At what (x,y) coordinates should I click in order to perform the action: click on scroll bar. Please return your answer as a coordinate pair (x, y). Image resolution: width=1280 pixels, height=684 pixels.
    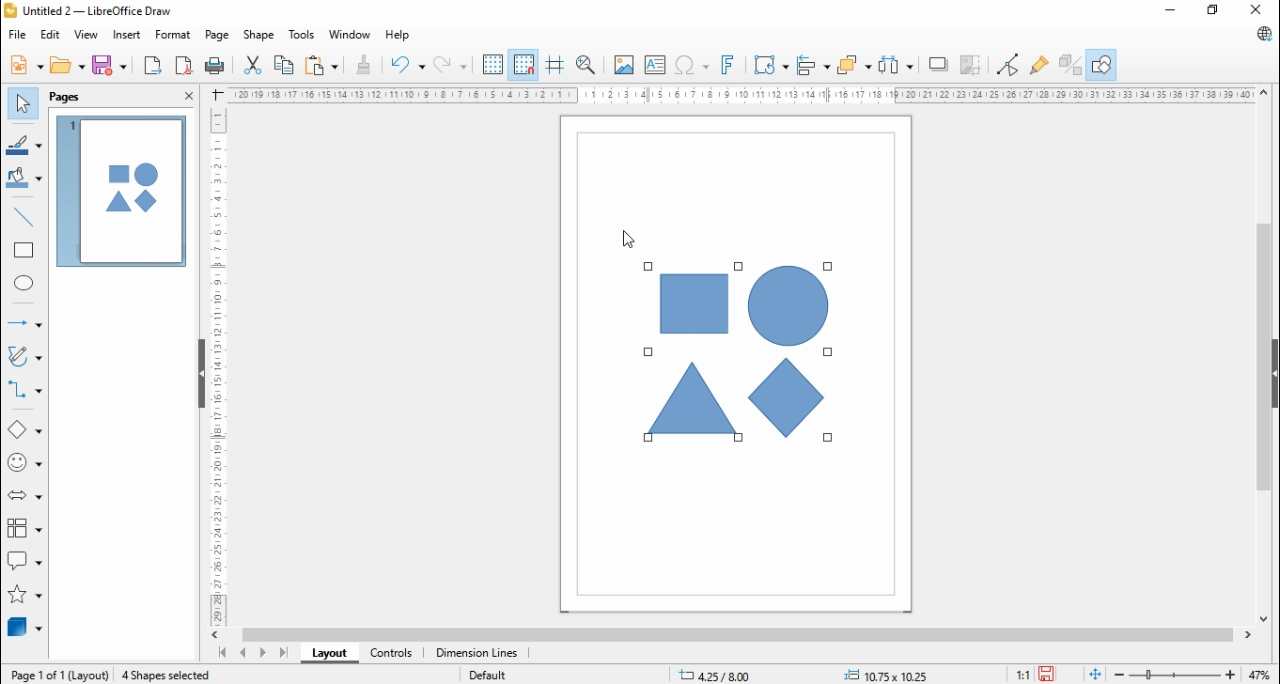
    Looking at the image, I should click on (736, 635).